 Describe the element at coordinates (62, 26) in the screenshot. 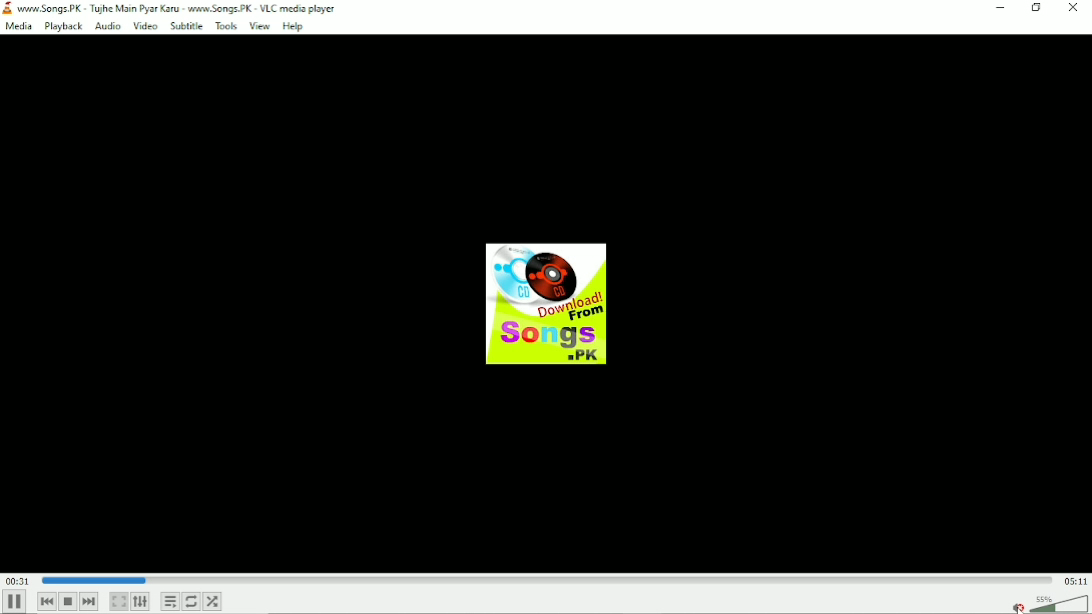

I see `Playback` at that location.